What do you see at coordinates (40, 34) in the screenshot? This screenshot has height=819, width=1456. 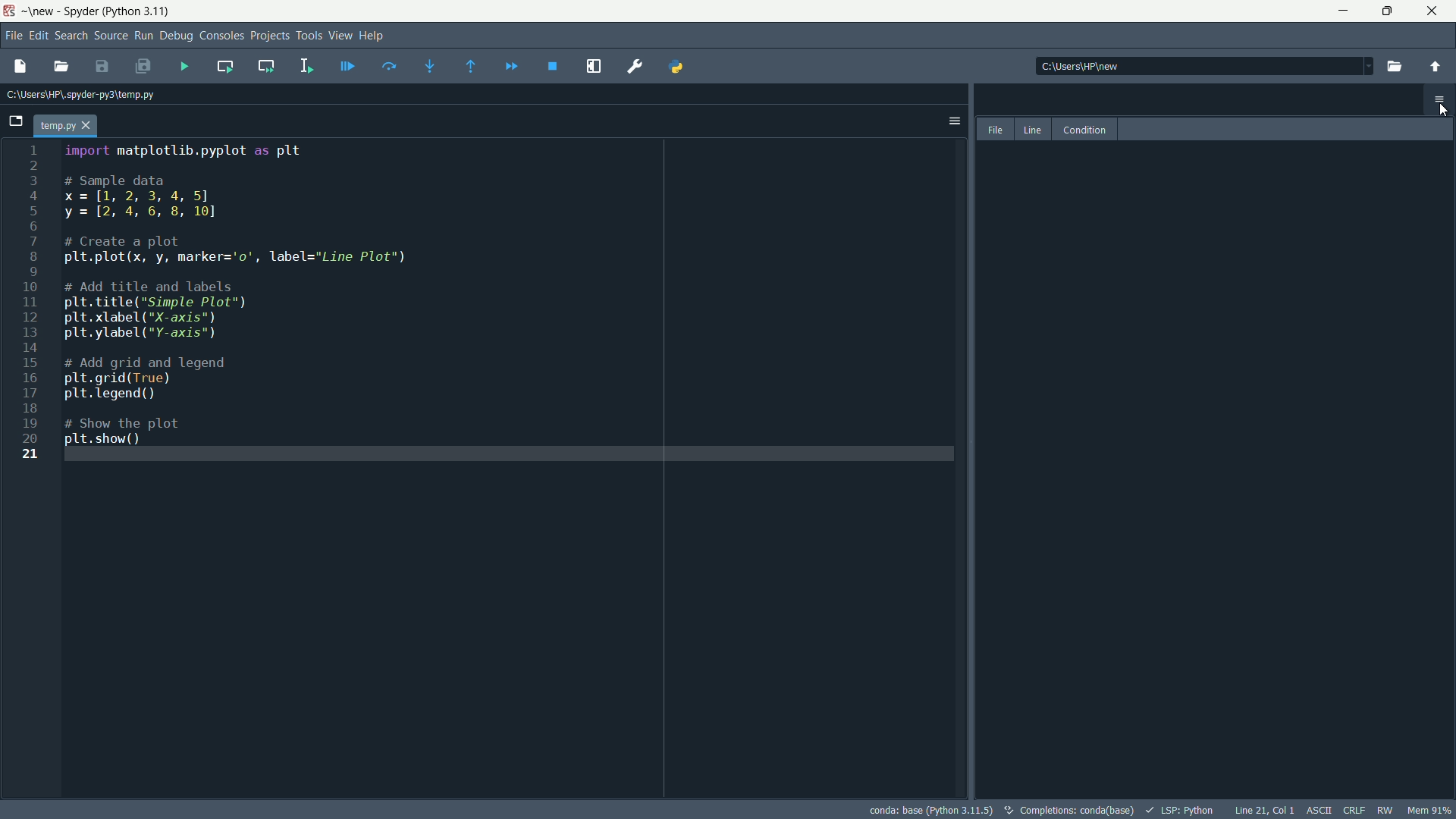 I see `edit menu` at bounding box center [40, 34].